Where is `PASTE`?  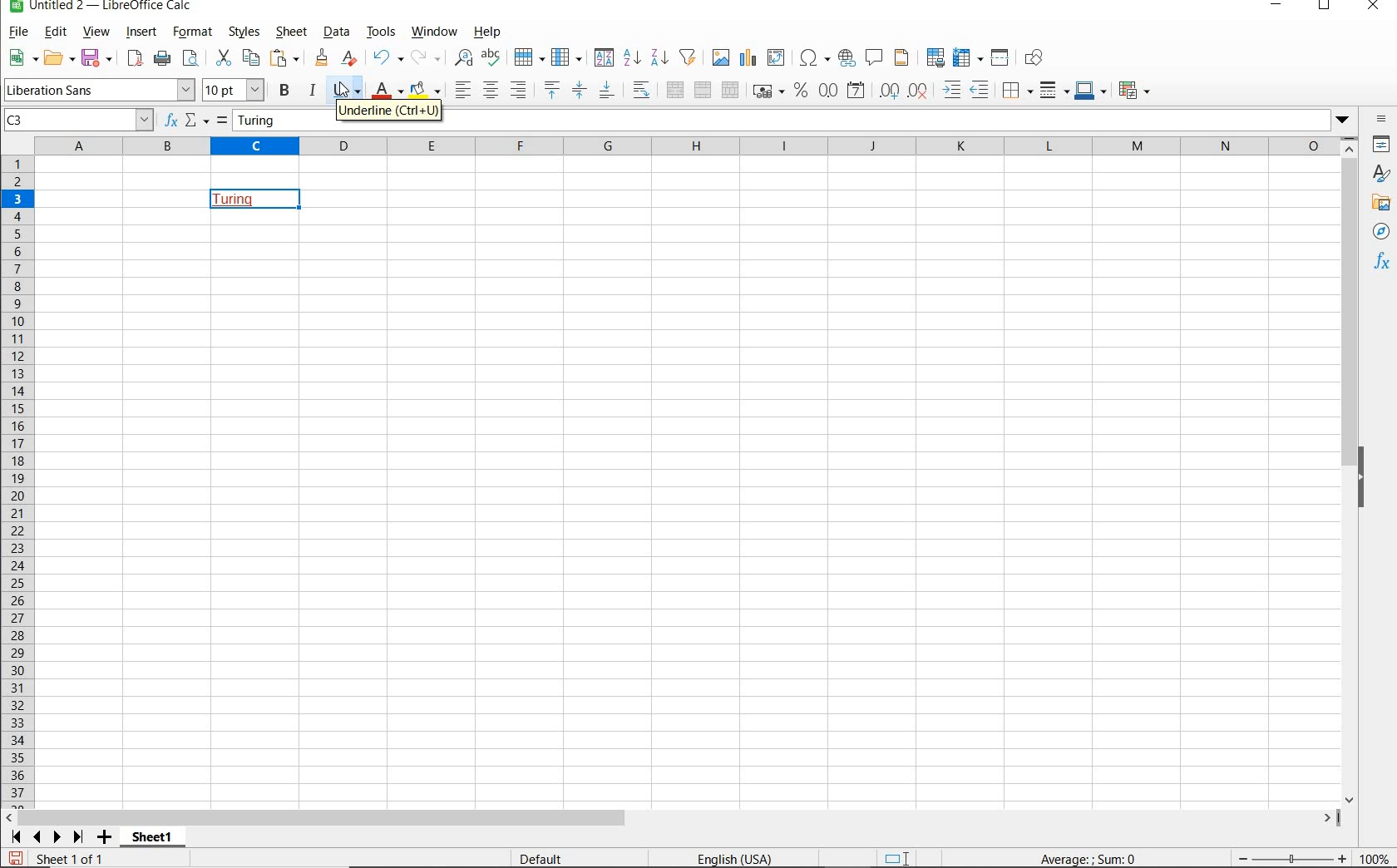 PASTE is located at coordinates (193, 58).